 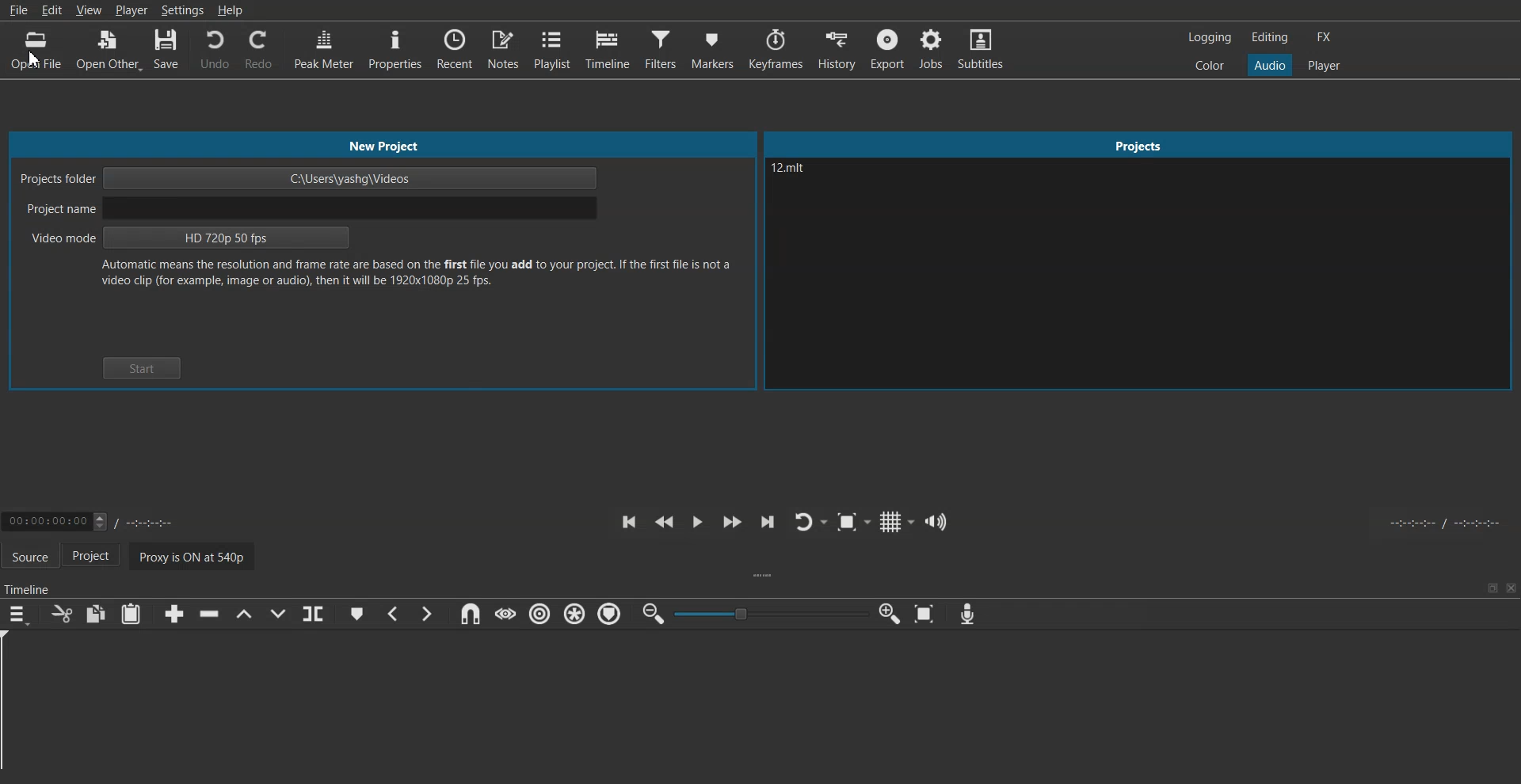 What do you see at coordinates (715, 48) in the screenshot?
I see `Markers` at bounding box center [715, 48].